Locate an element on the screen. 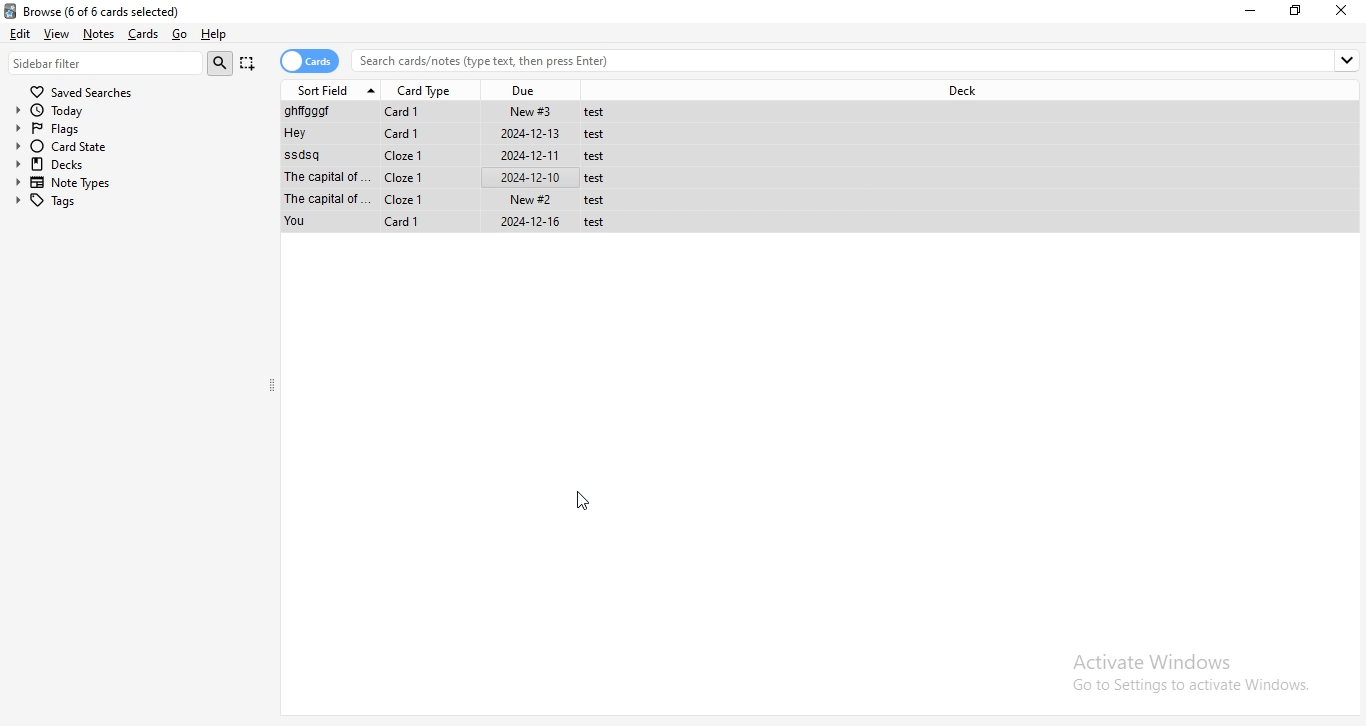 This screenshot has width=1366, height=726. due is located at coordinates (530, 88).